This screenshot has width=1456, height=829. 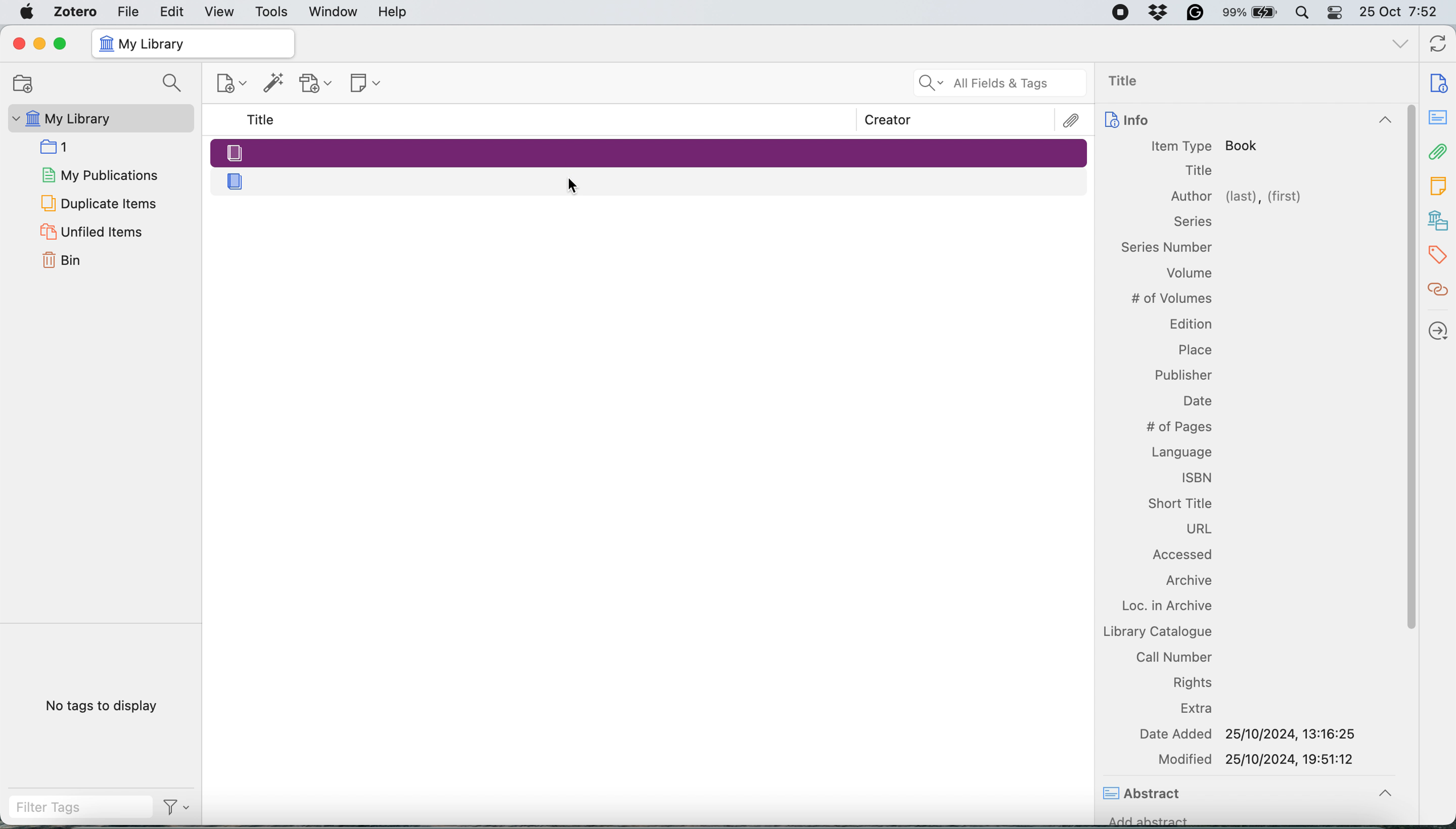 What do you see at coordinates (1159, 12) in the screenshot?
I see `Dropbox` at bounding box center [1159, 12].